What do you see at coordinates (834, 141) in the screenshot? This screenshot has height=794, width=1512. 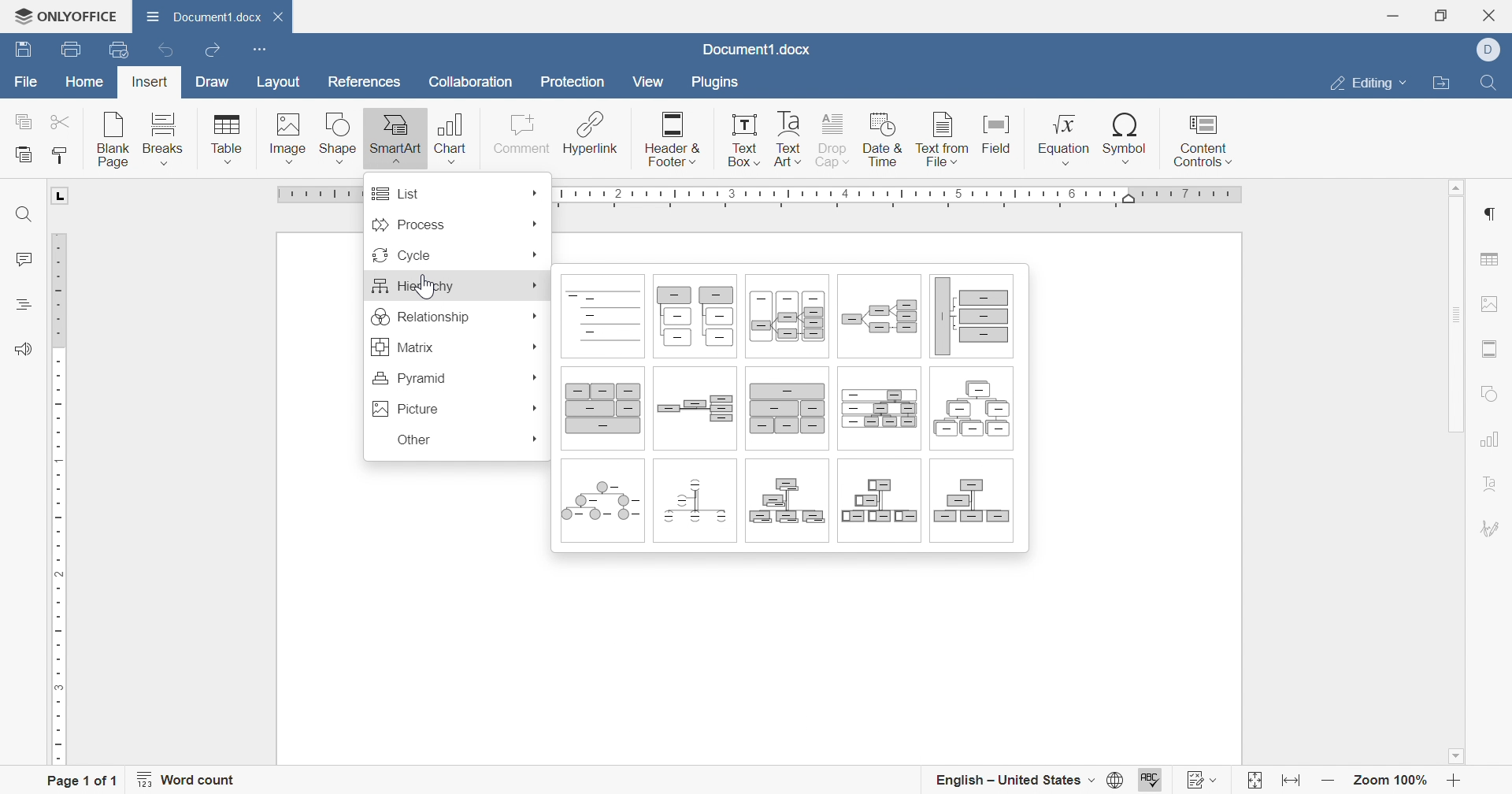 I see `Drop cap` at bounding box center [834, 141].